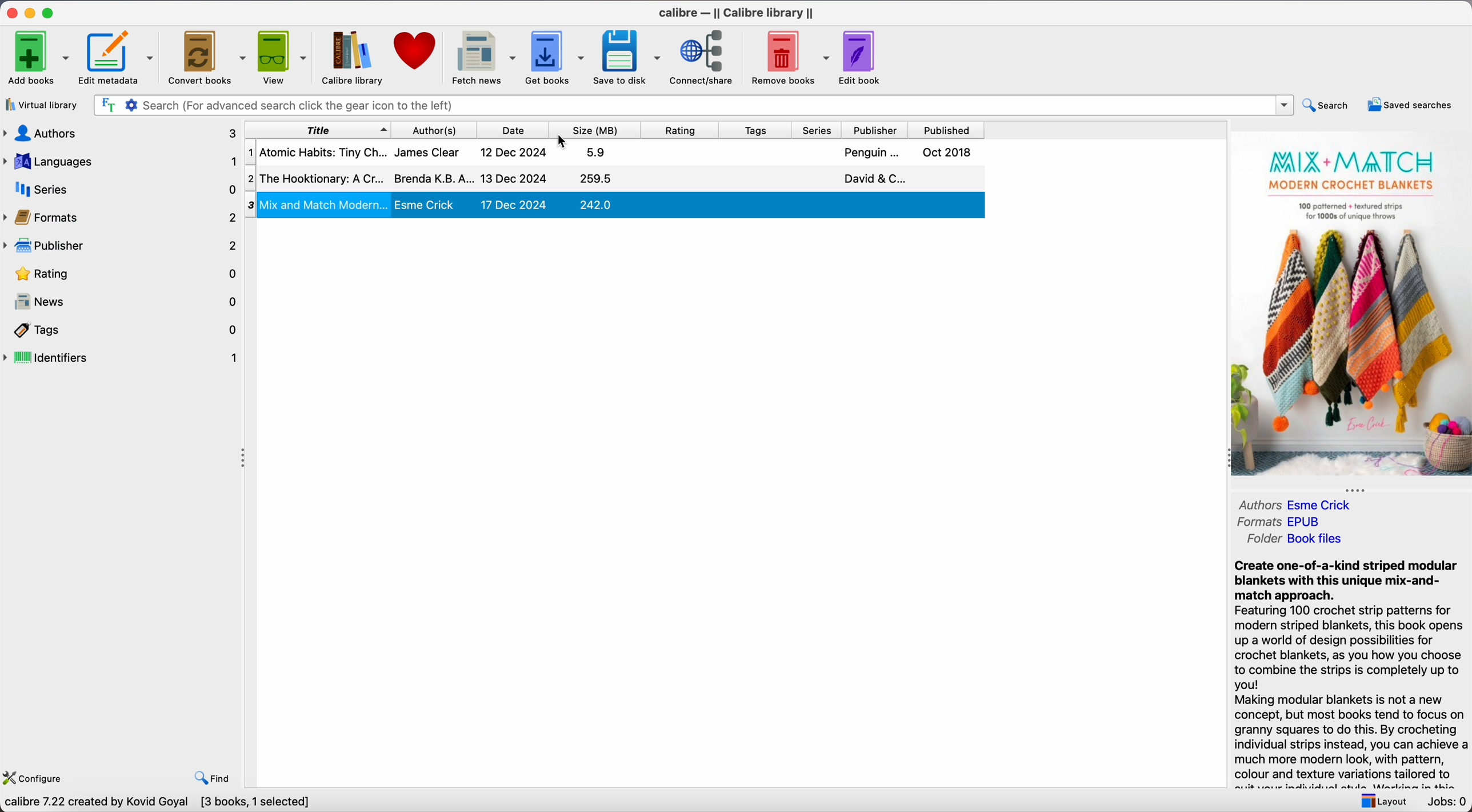 The width and height of the screenshot is (1472, 812). Describe the element at coordinates (563, 142) in the screenshot. I see `cursor` at that location.